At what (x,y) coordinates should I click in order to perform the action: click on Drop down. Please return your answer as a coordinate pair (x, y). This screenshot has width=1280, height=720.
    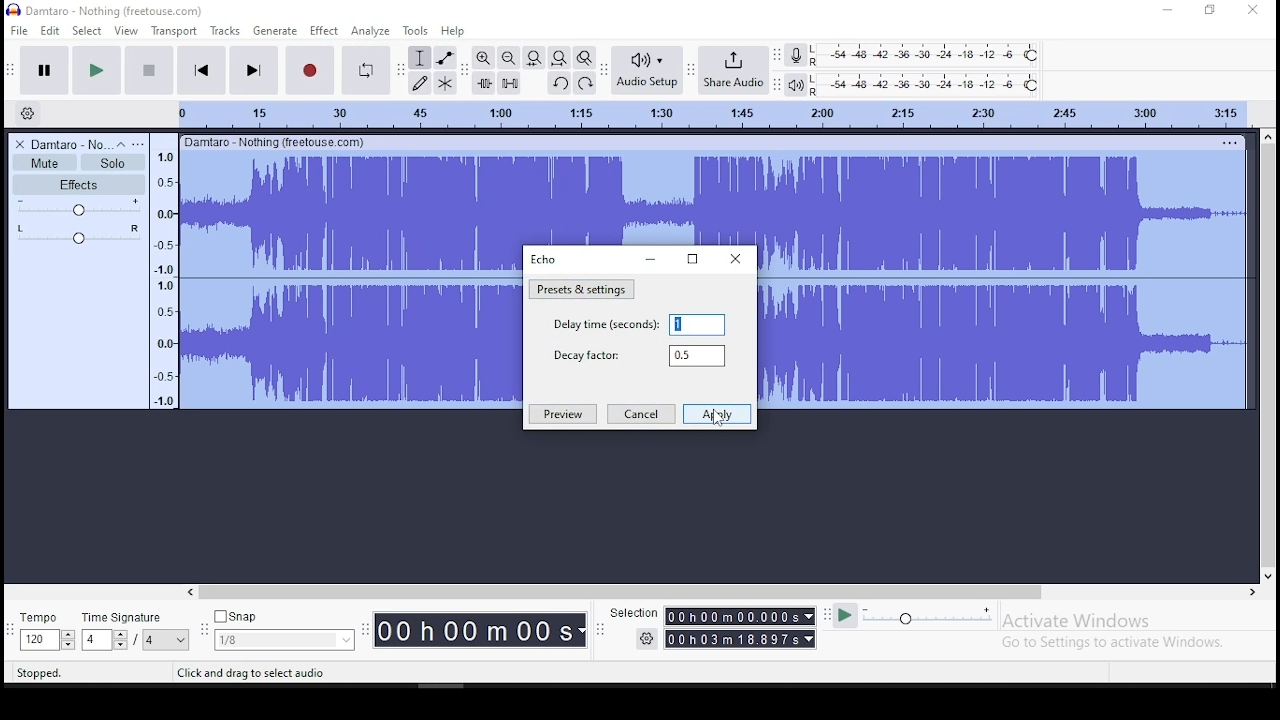
    Looking at the image, I should click on (119, 639).